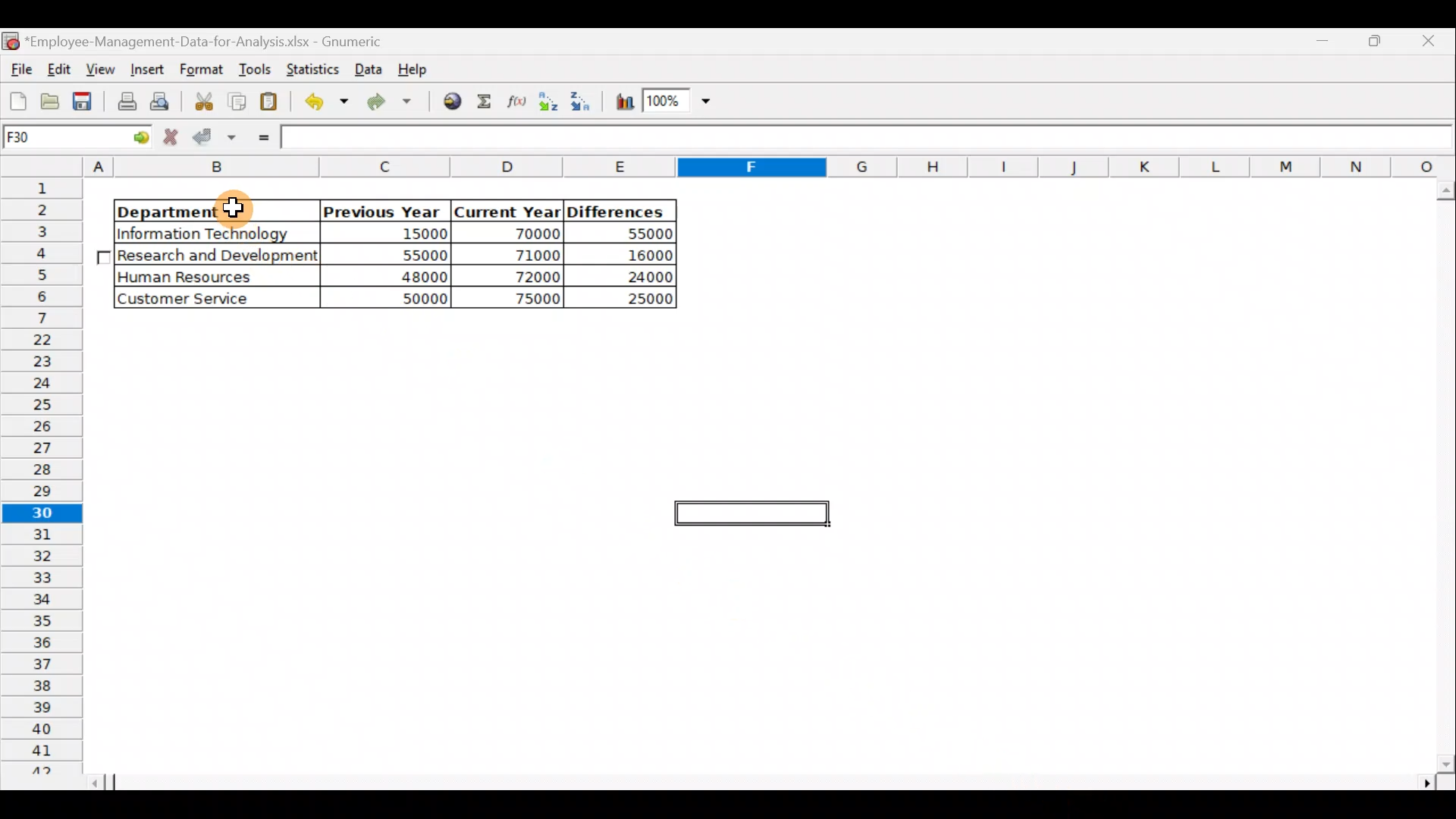 This screenshot has width=1456, height=819. What do you see at coordinates (368, 67) in the screenshot?
I see `Data` at bounding box center [368, 67].